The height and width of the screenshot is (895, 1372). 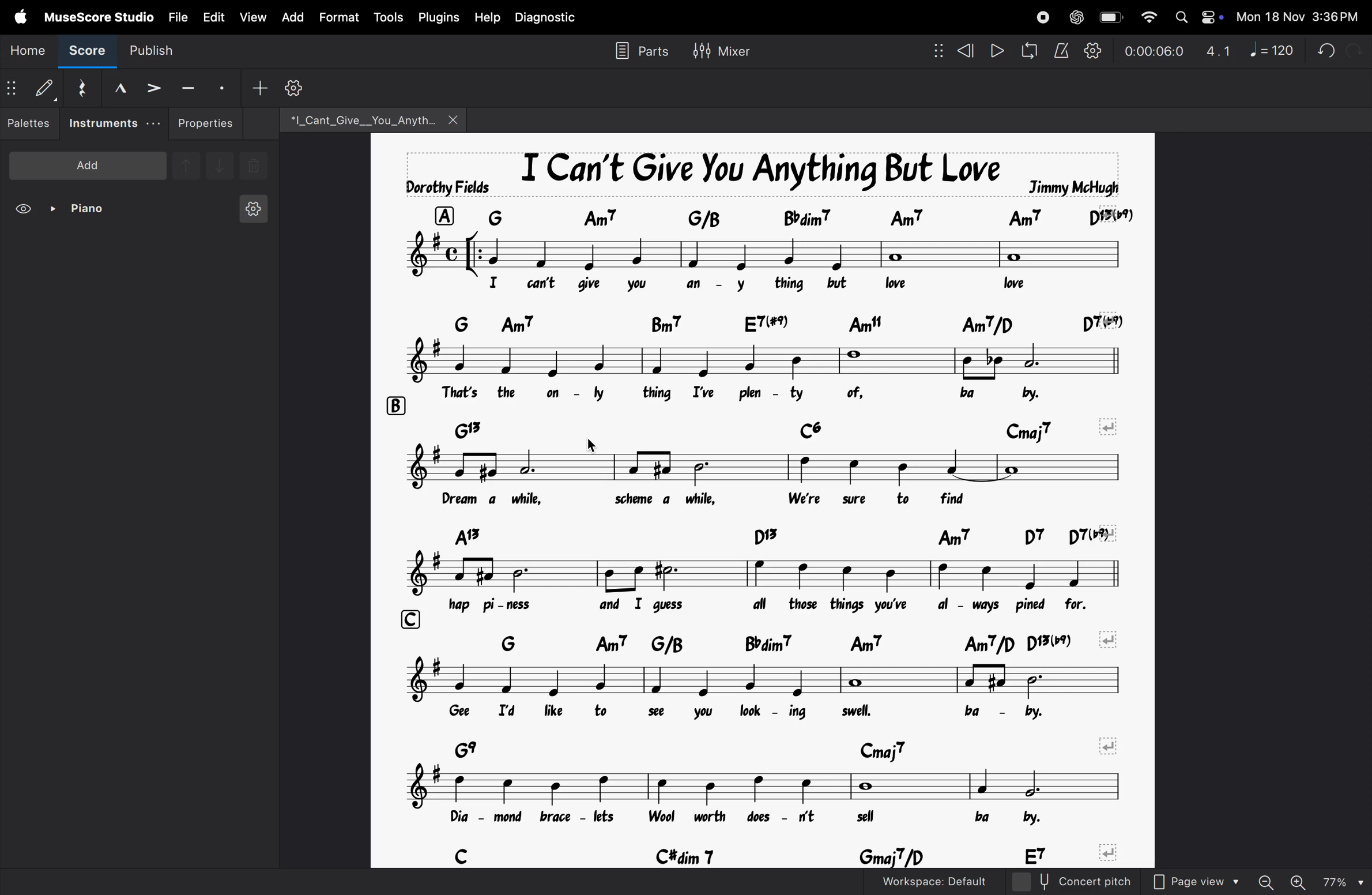 What do you see at coordinates (16, 17) in the screenshot?
I see `apple menu` at bounding box center [16, 17].